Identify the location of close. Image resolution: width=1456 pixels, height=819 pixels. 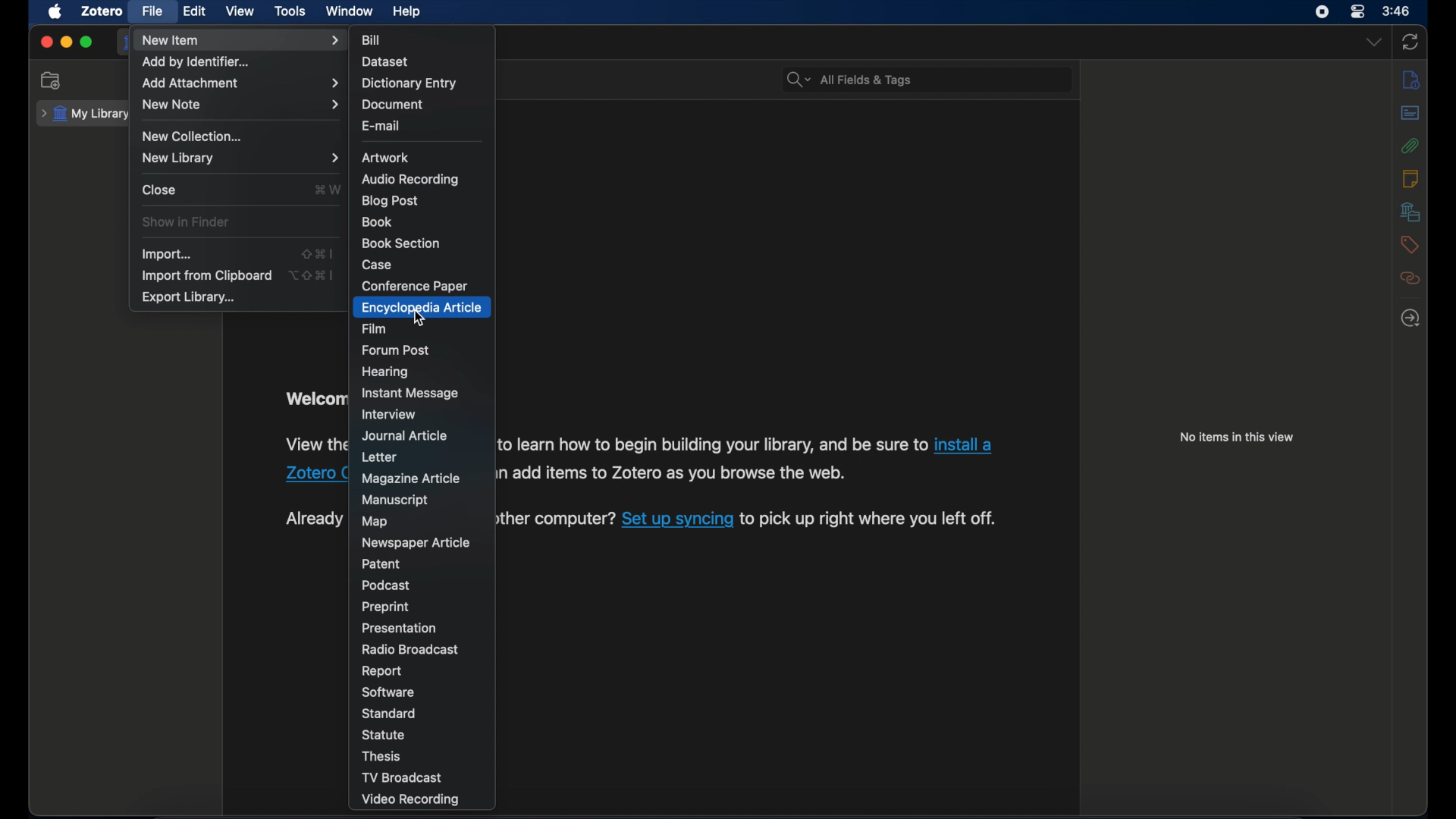
(45, 42).